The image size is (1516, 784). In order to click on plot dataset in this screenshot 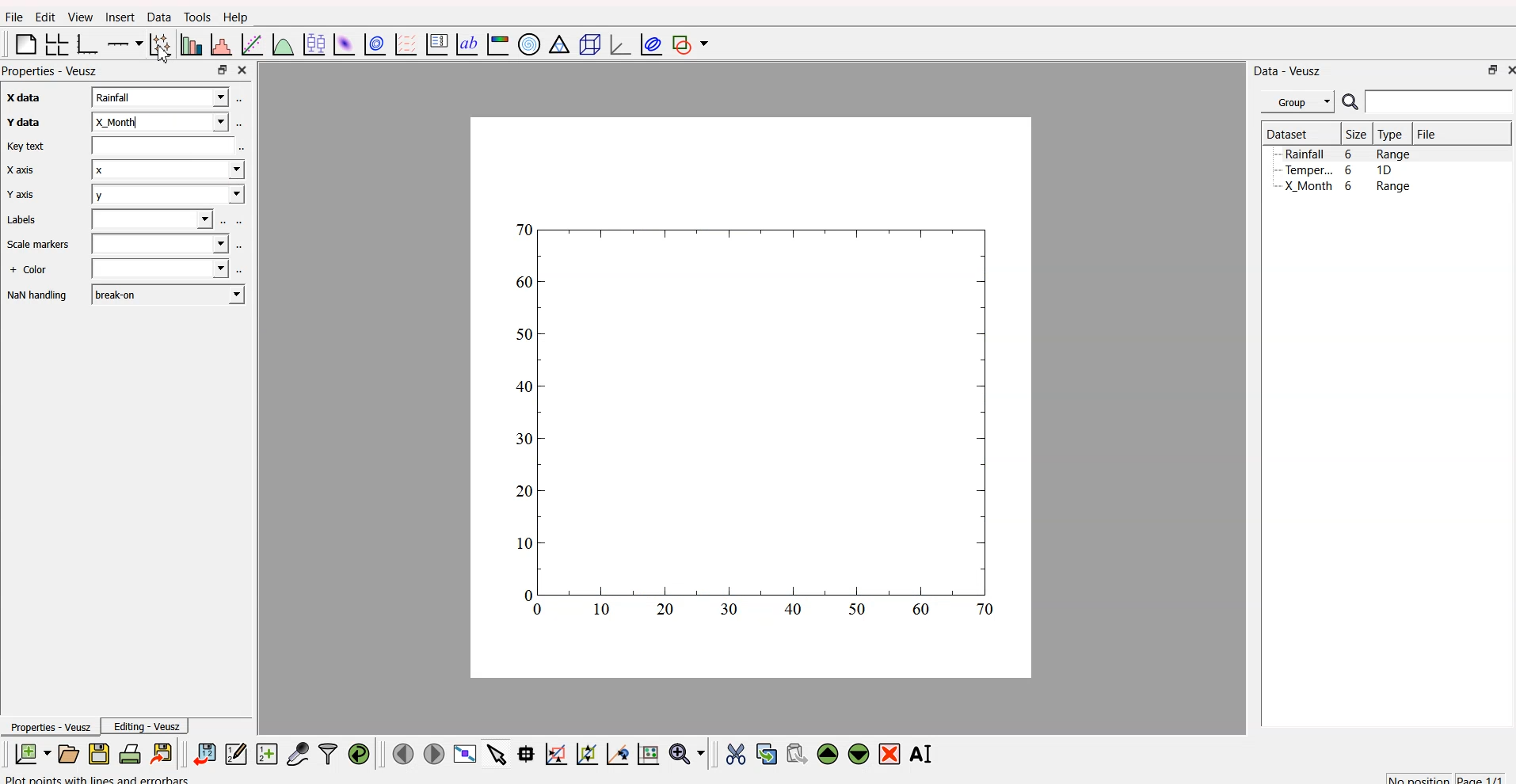, I will do `click(342, 44)`.